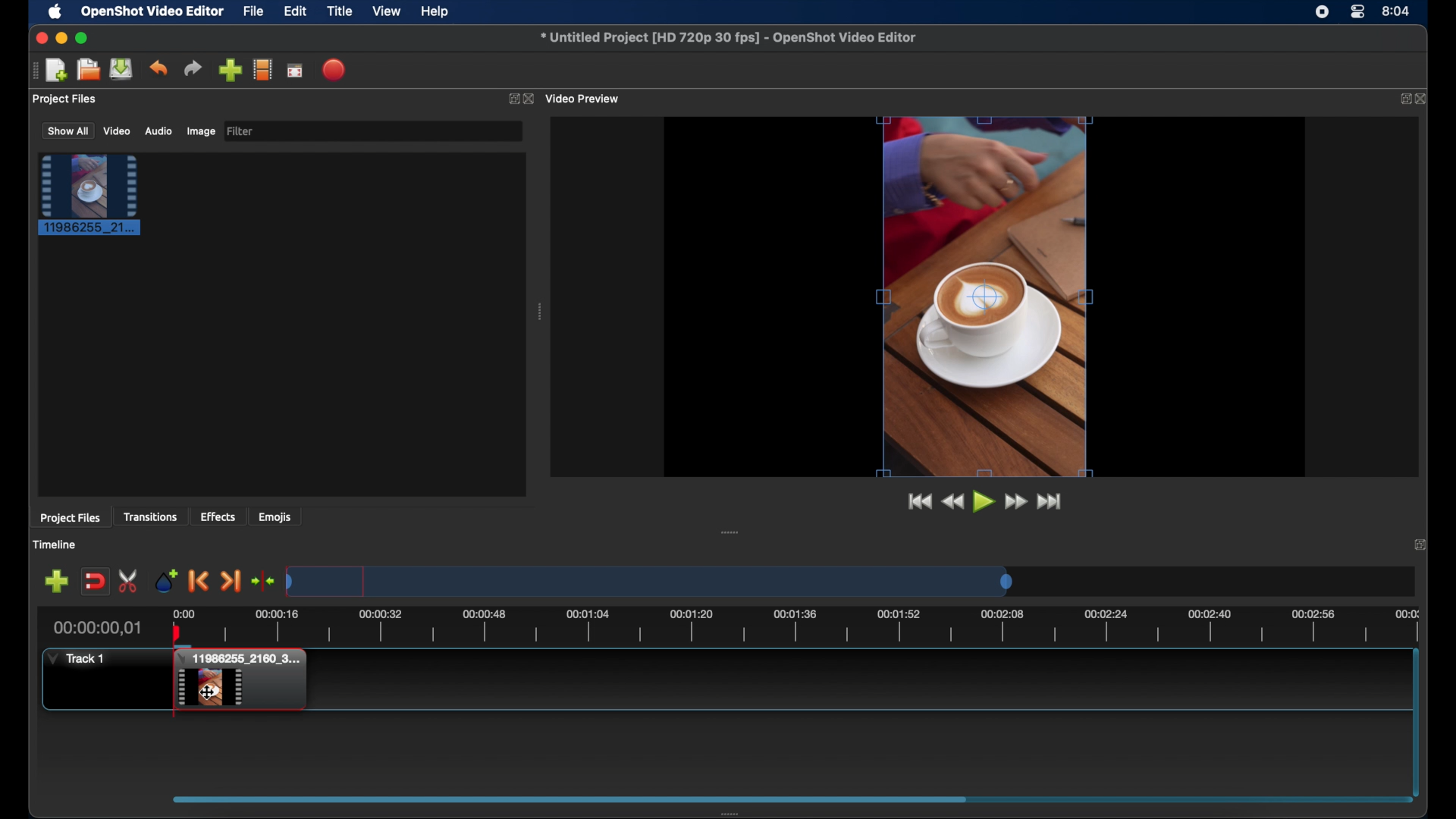  What do you see at coordinates (243, 678) in the screenshot?
I see `track` at bounding box center [243, 678].